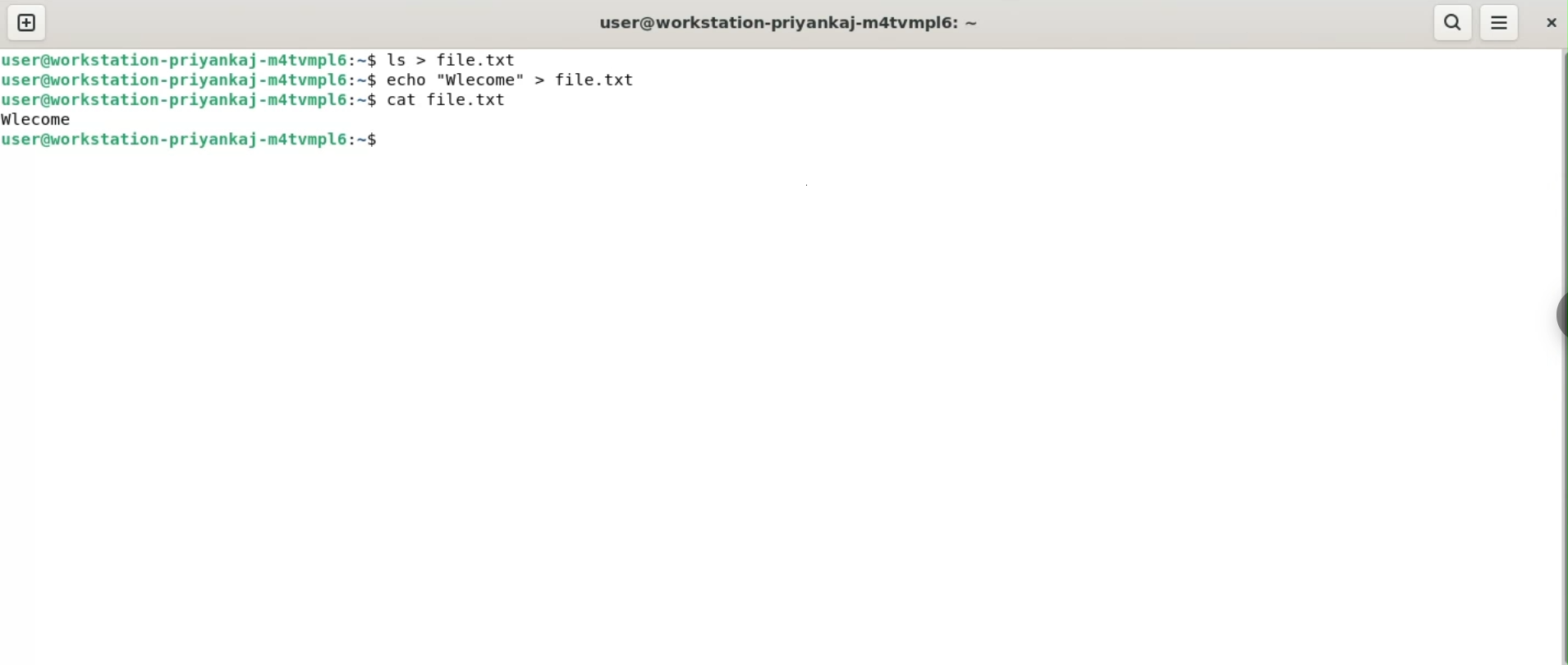 This screenshot has width=1568, height=665. I want to click on new tab, so click(28, 22).